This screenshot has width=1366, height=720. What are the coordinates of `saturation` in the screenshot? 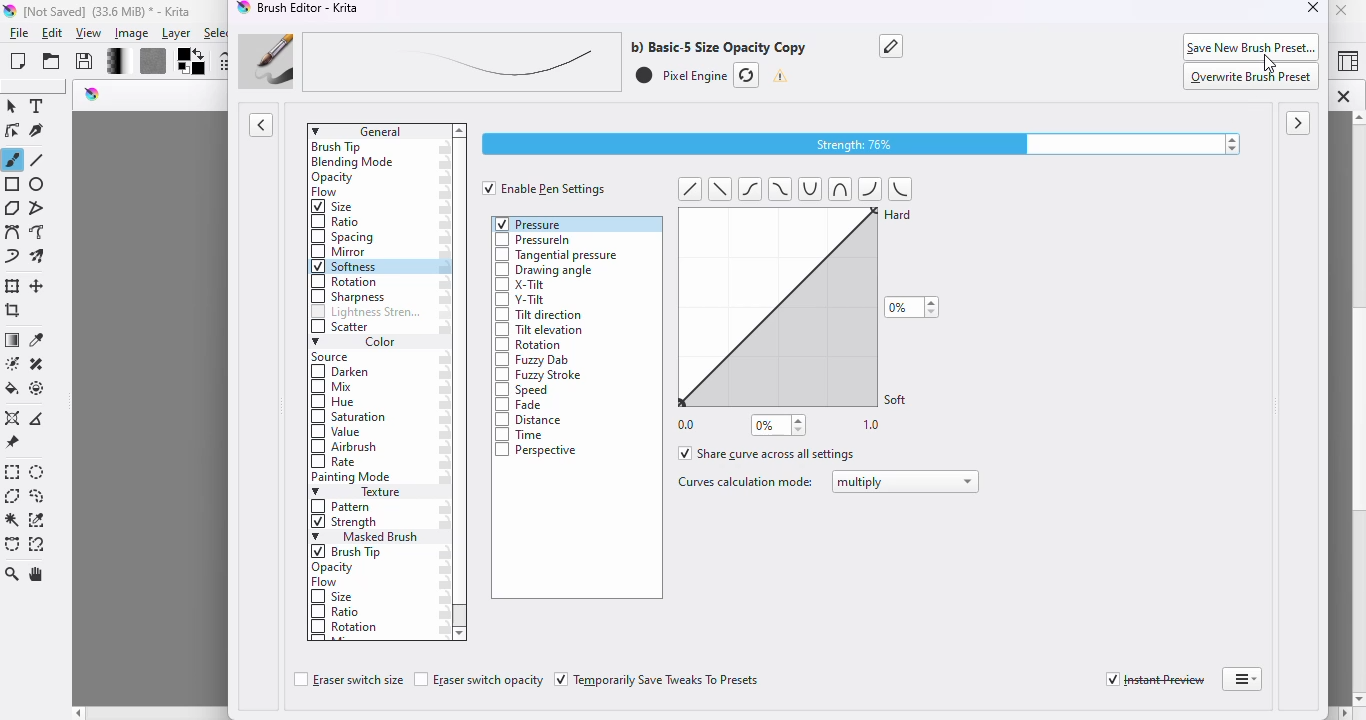 It's located at (350, 418).